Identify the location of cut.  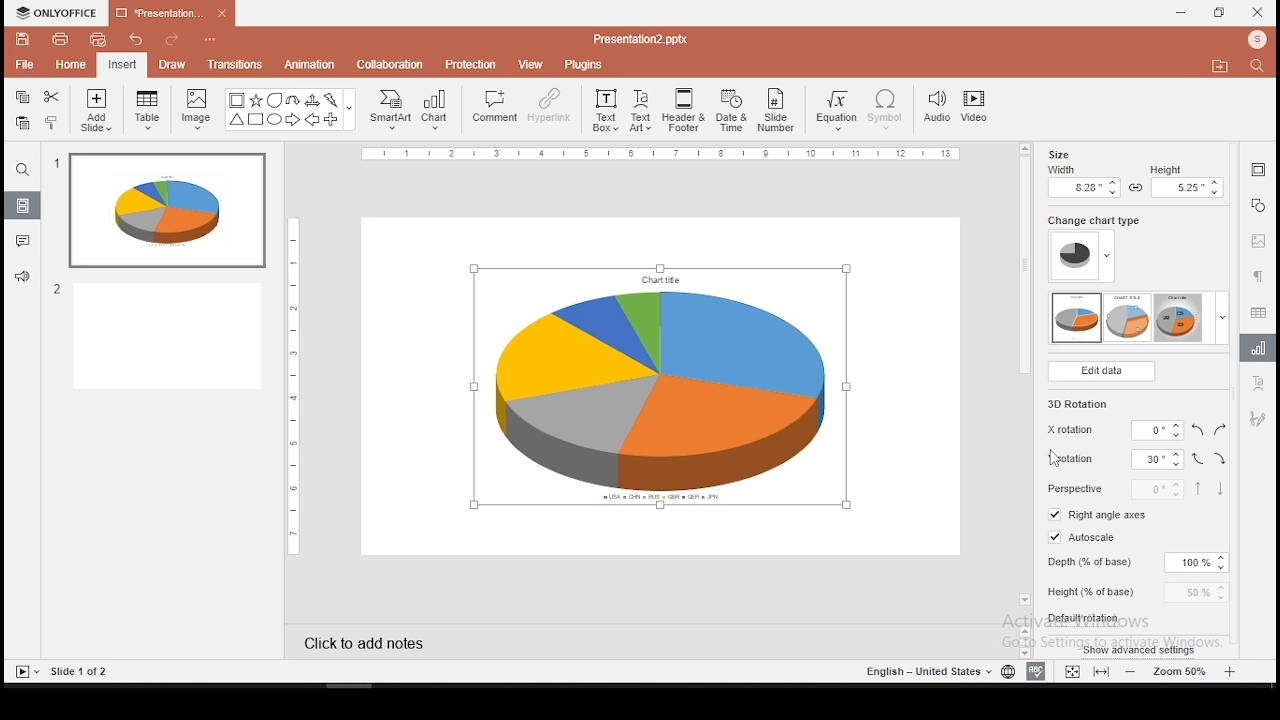
(52, 97).